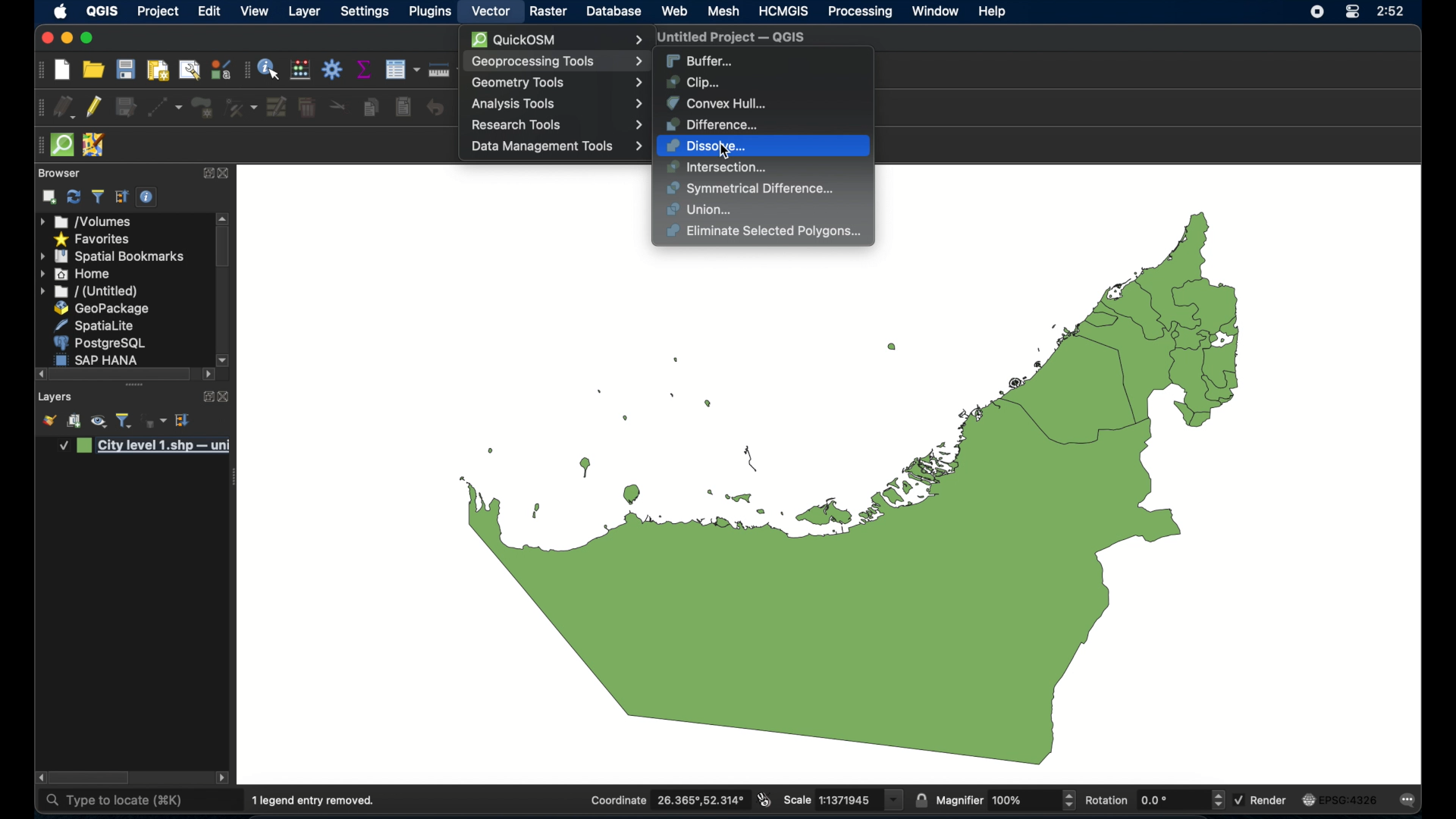  Describe the element at coordinates (305, 13) in the screenshot. I see `layer` at that location.